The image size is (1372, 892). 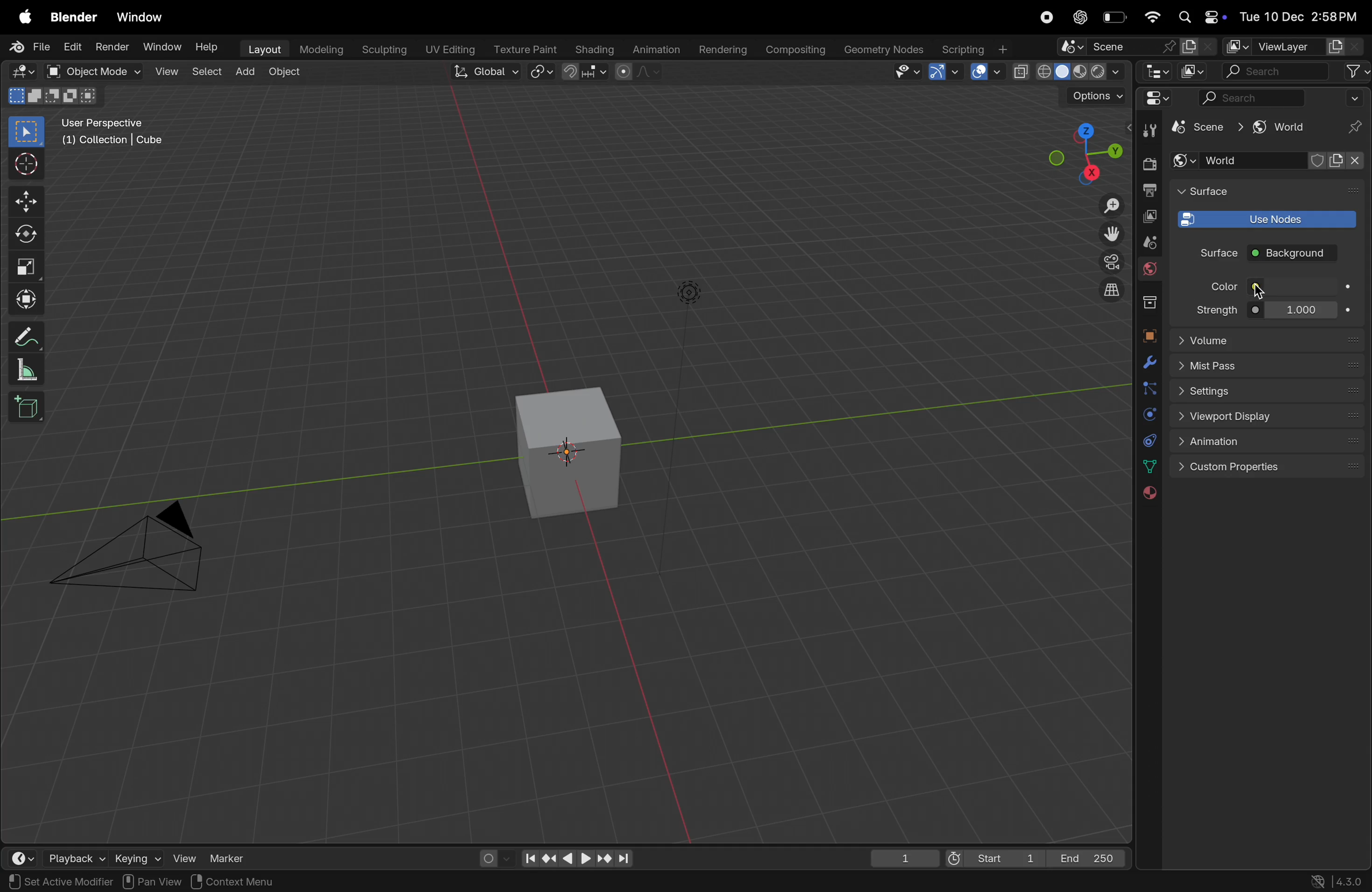 I want to click on Surface, so click(x=1209, y=252).